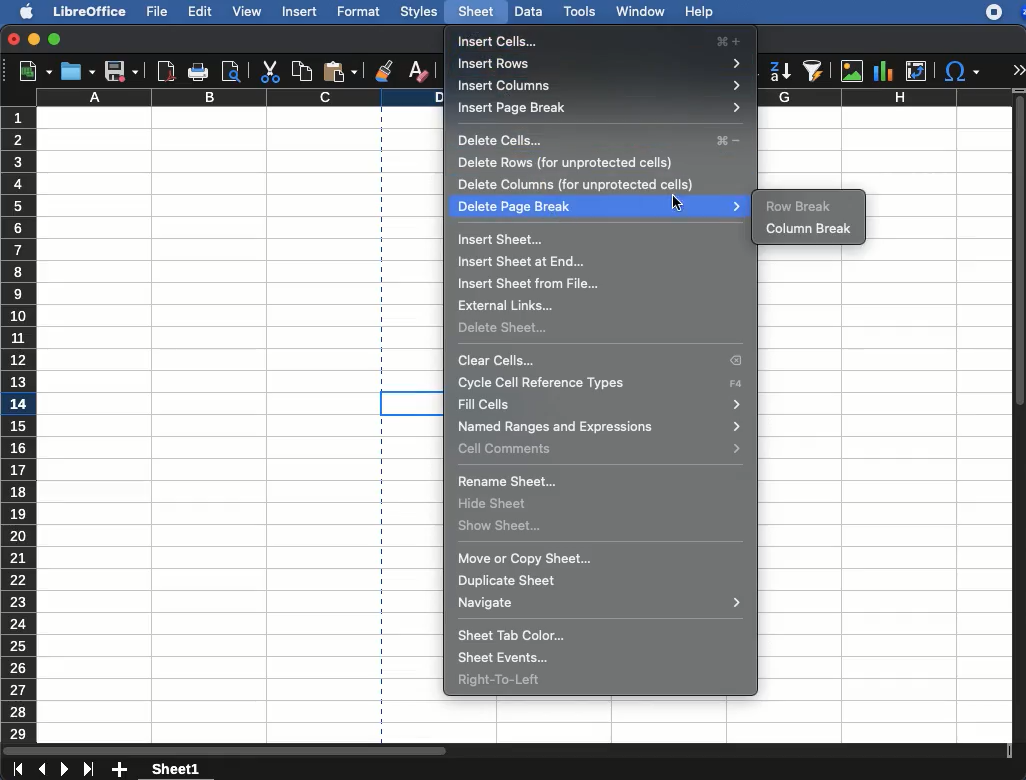 The height and width of the screenshot is (780, 1026). What do you see at coordinates (358, 10) in the screenshot?
I see `format` at bounding box center [358, 10].